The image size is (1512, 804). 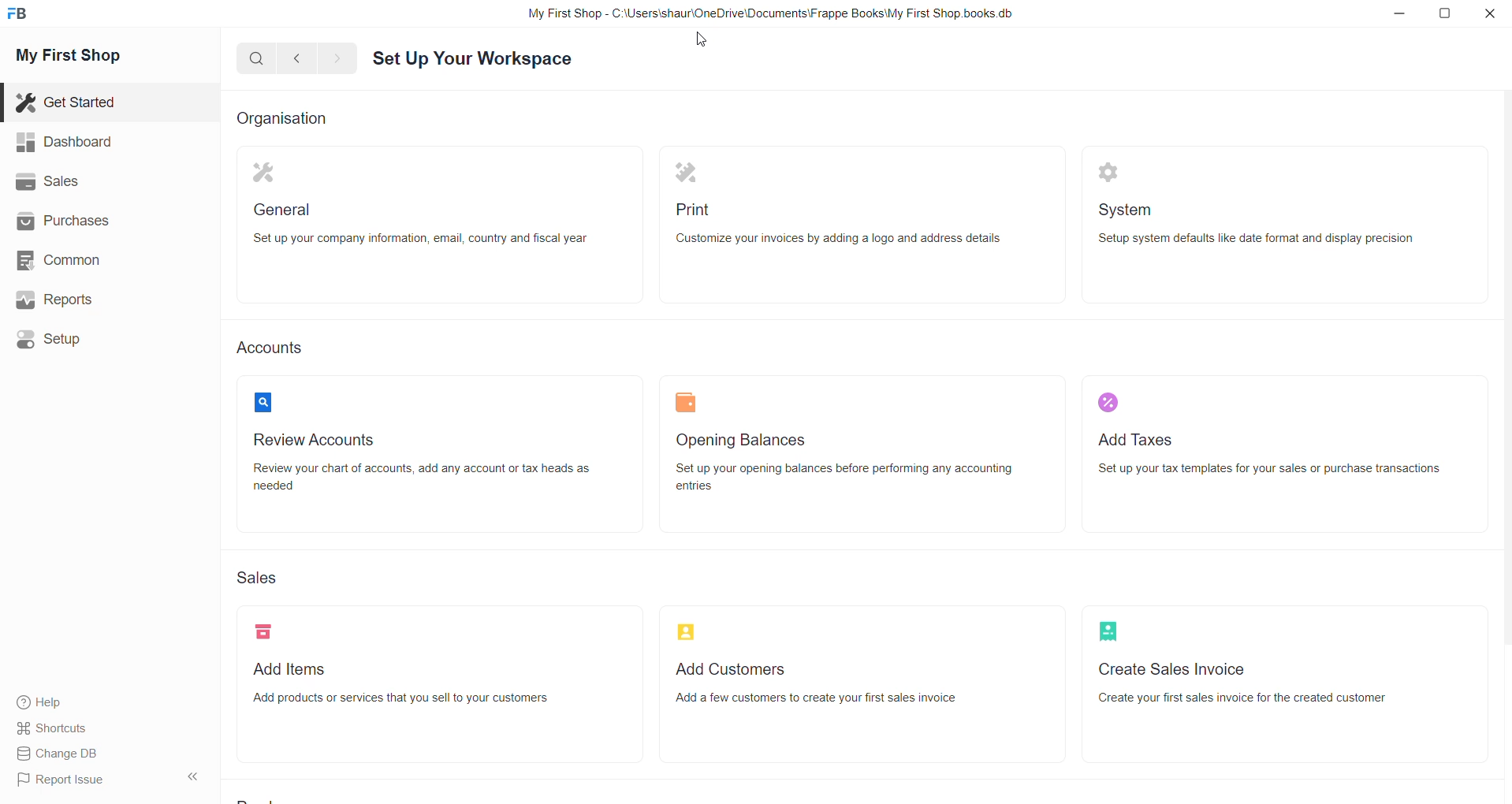 I want to click on Report Issue, so click(x=61, y=783).